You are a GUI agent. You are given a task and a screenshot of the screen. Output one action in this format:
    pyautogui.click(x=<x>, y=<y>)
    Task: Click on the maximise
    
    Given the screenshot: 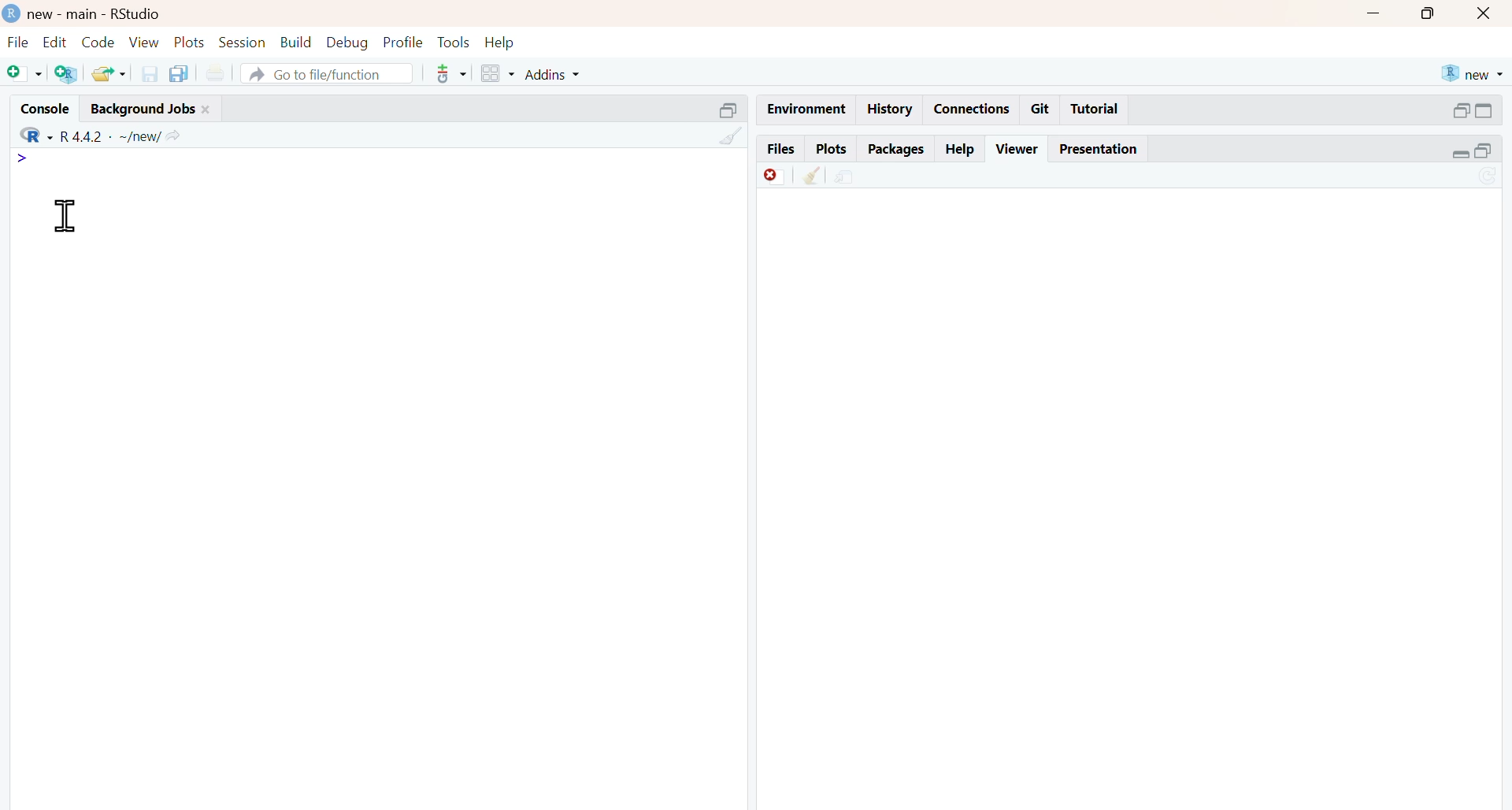 What is the action you would take?
    pyautogui.click(x=1427, y=13)
    